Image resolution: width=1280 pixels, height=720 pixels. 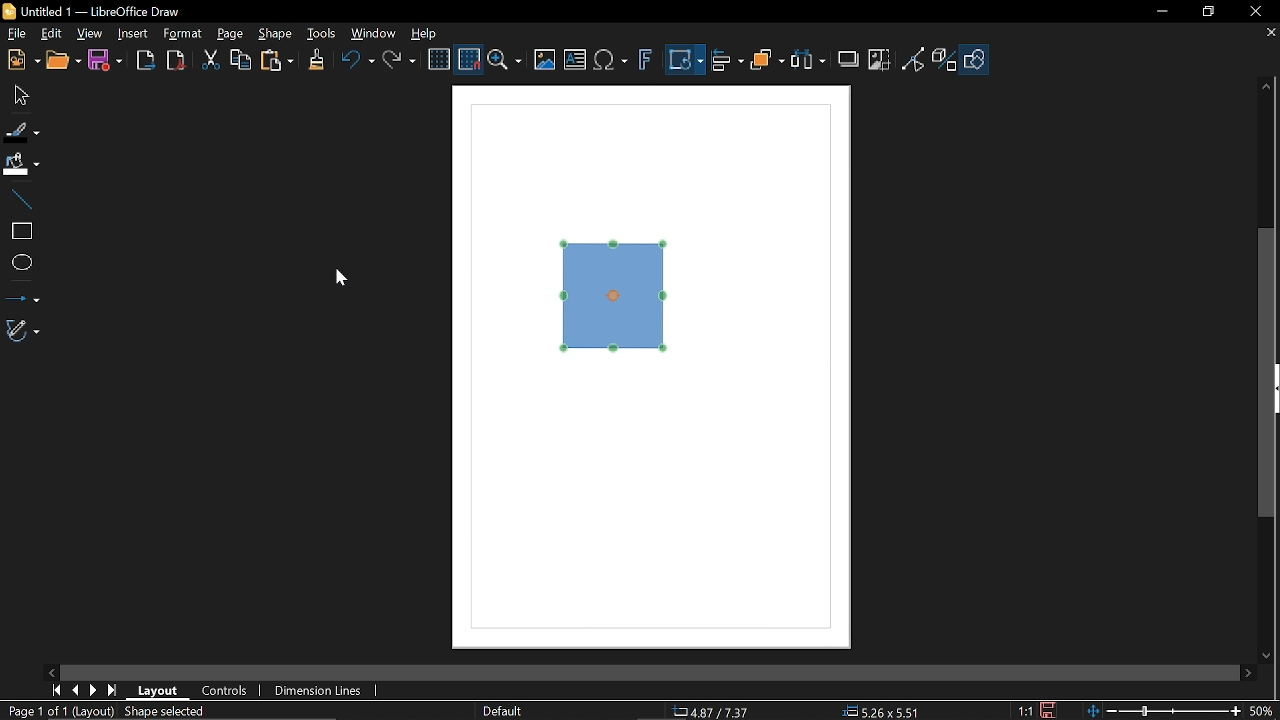 What do you see at coordinates (93, 689) in the screenshot?
I see `next page` at bounding box center [93, 689].